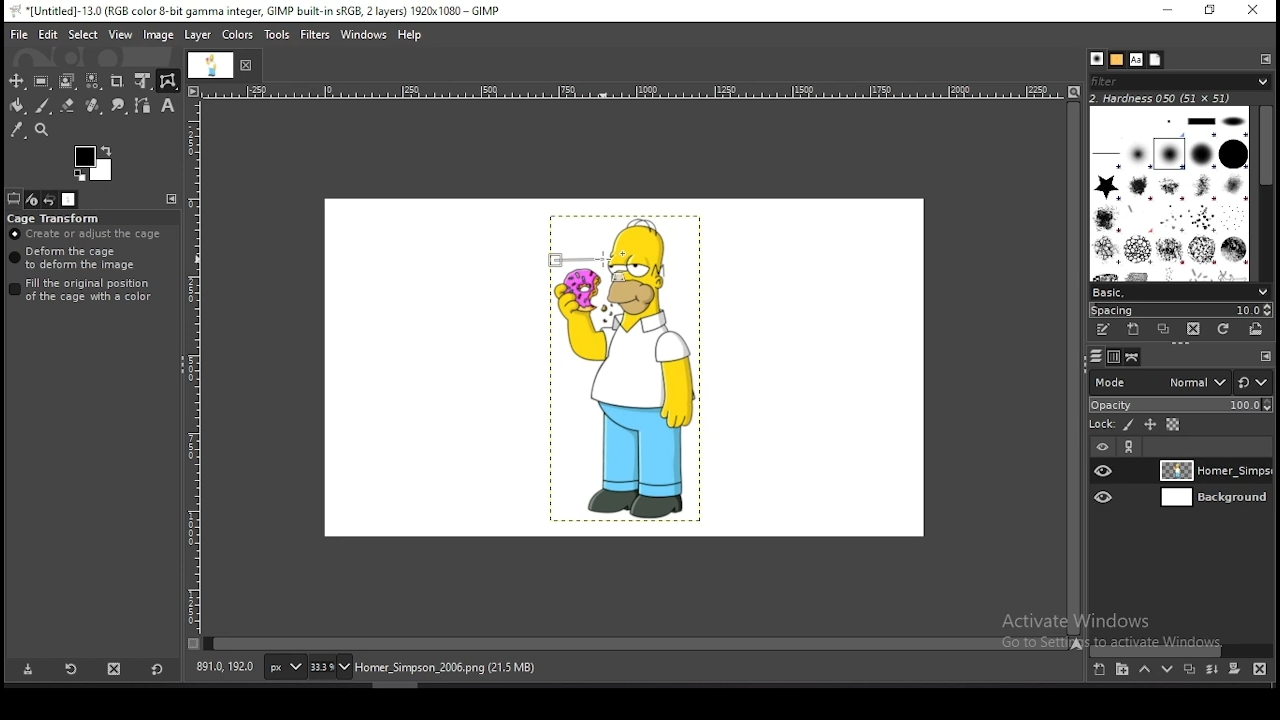  What do you see at coordinates (364, 33) in the screenshot?
I see `windows` at bounding box center [364, 33].